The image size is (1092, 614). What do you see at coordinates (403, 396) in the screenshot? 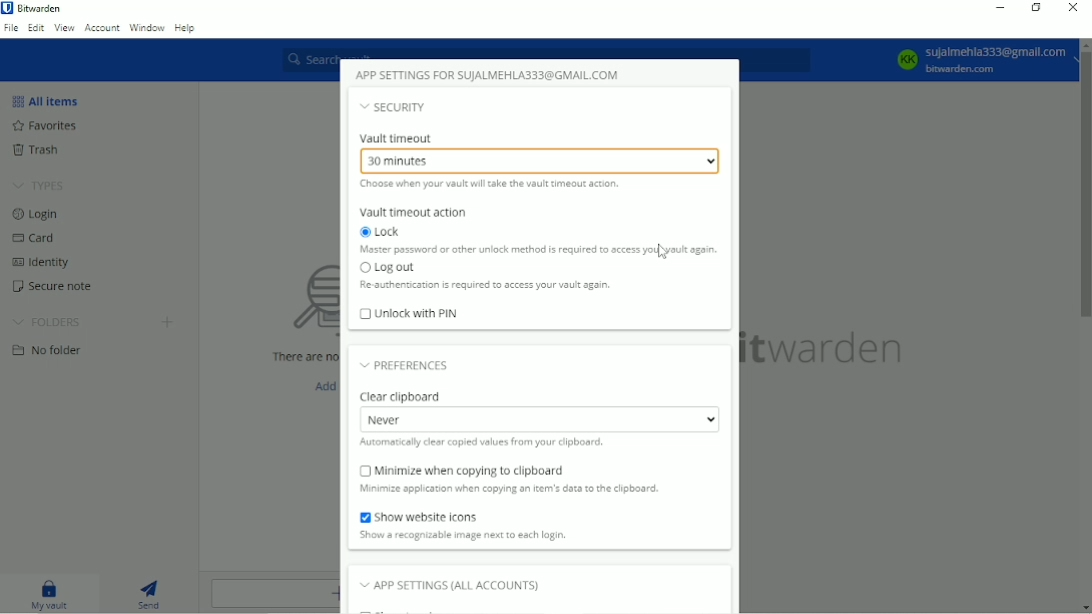
I see `Clear clipboard` at bounding box center [403, 396].